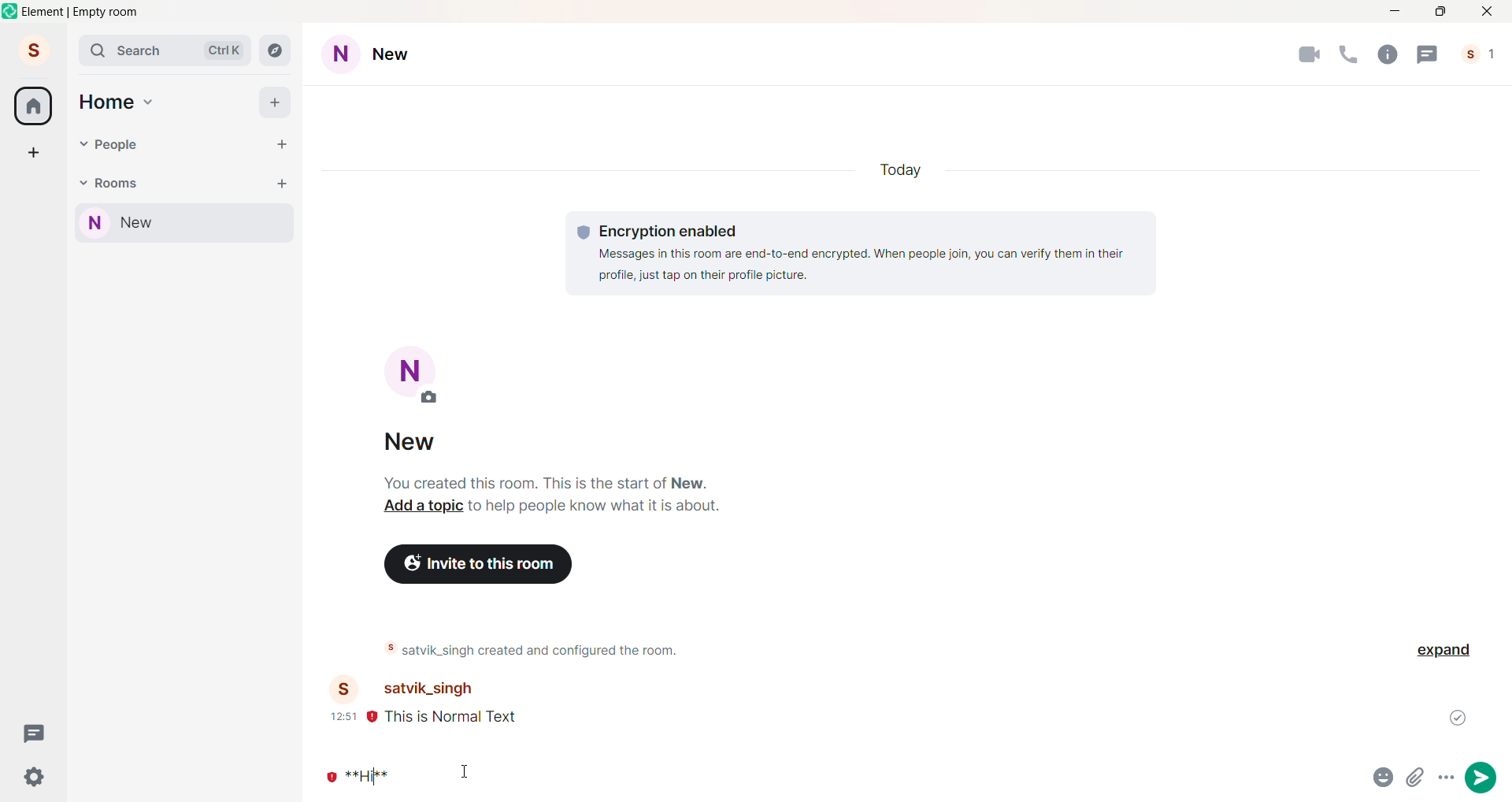 This screenshot has width=1512, height=802. I want to click on Not Encrypted, so click(329, 778).